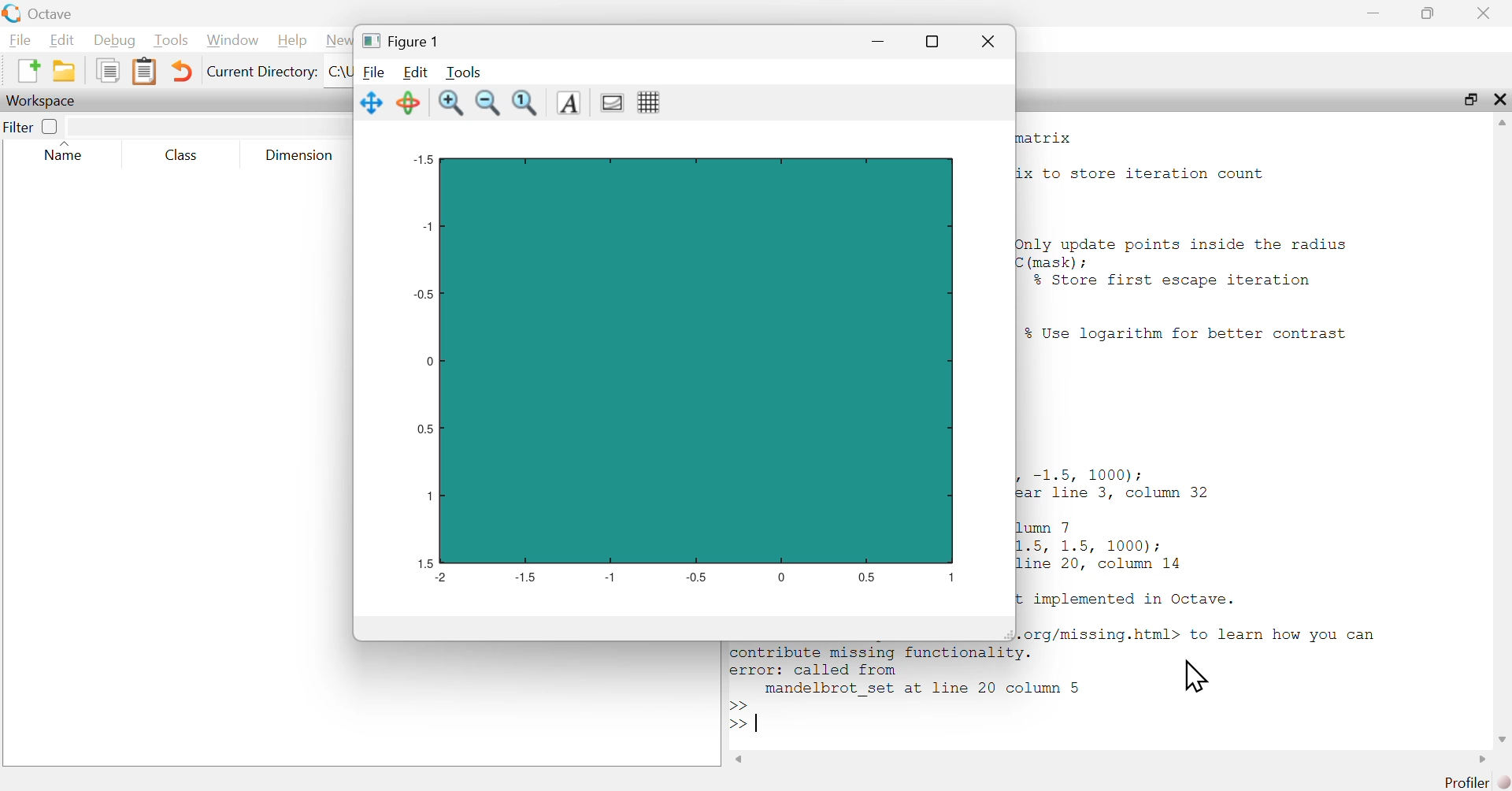 The width and height of the screenshot is (1512, 791). What do you see at coordinates (61, 39) in the screenshot?
I see `Edit` at bounding box center [61, 39].